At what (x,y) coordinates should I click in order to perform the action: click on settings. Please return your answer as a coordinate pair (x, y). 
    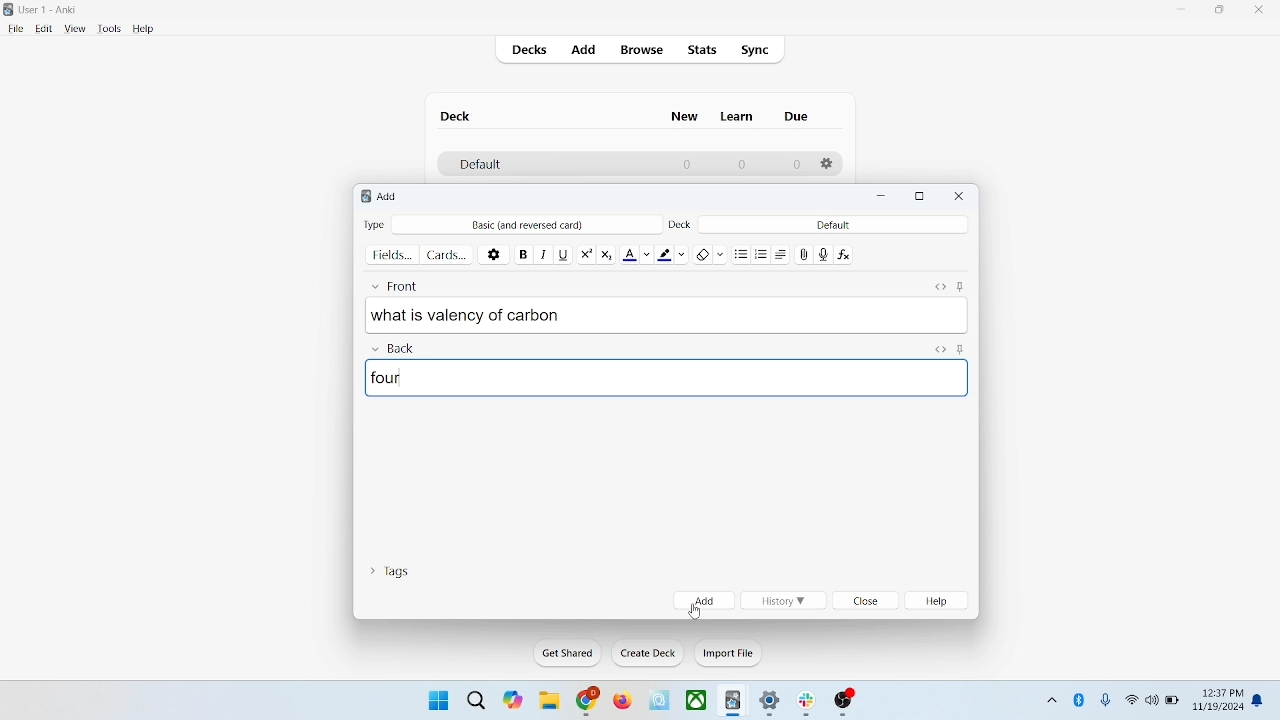
    Looking at the image, I should click on (771, 704).